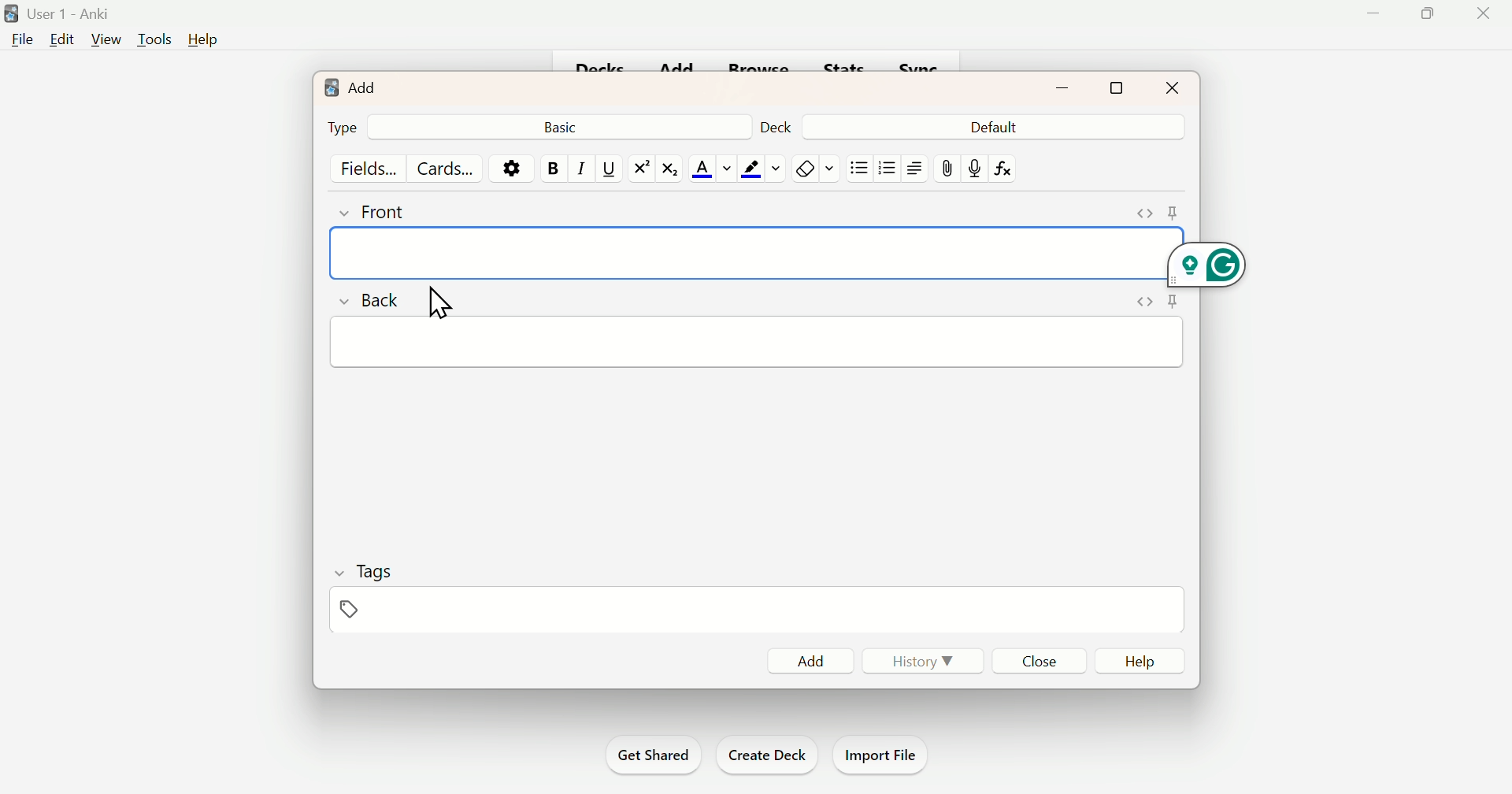 The image size is (1512, 794). I want to click on Import File, so click(886, 755).